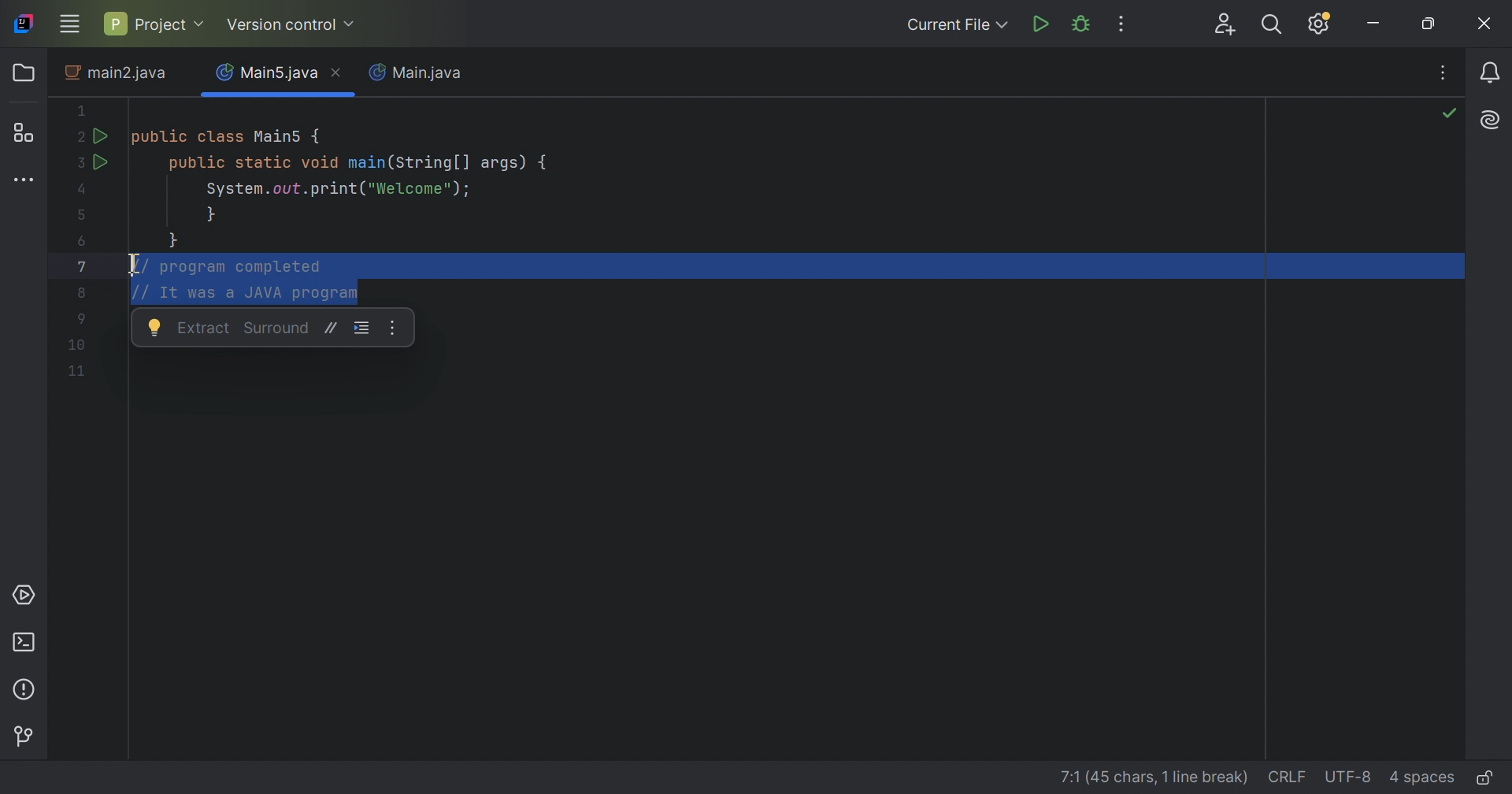 The height and width of the screenshot is (794, 1512). I want to click on IntelliJ icon, so click(24, 24).